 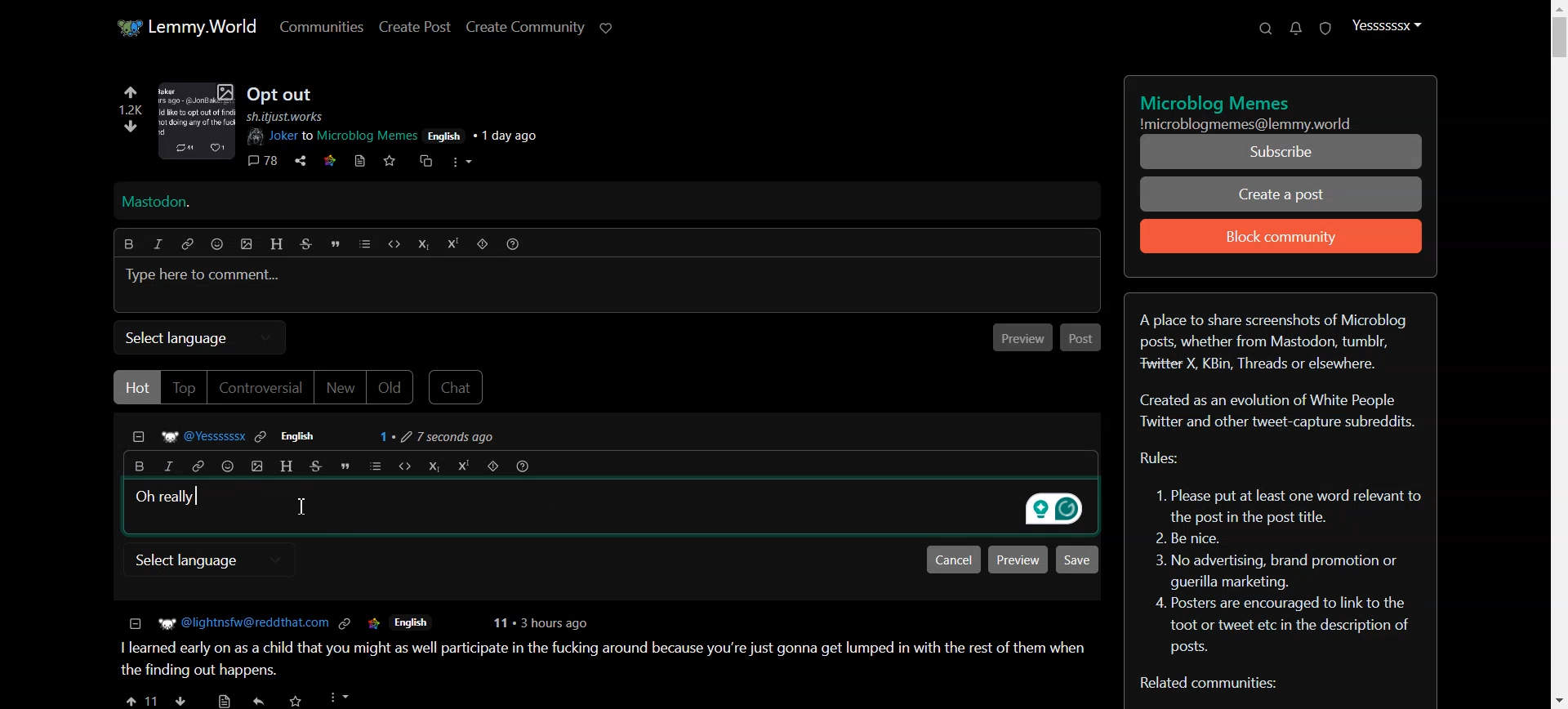 I want to click on Profile, so click(x=1386, y=25).